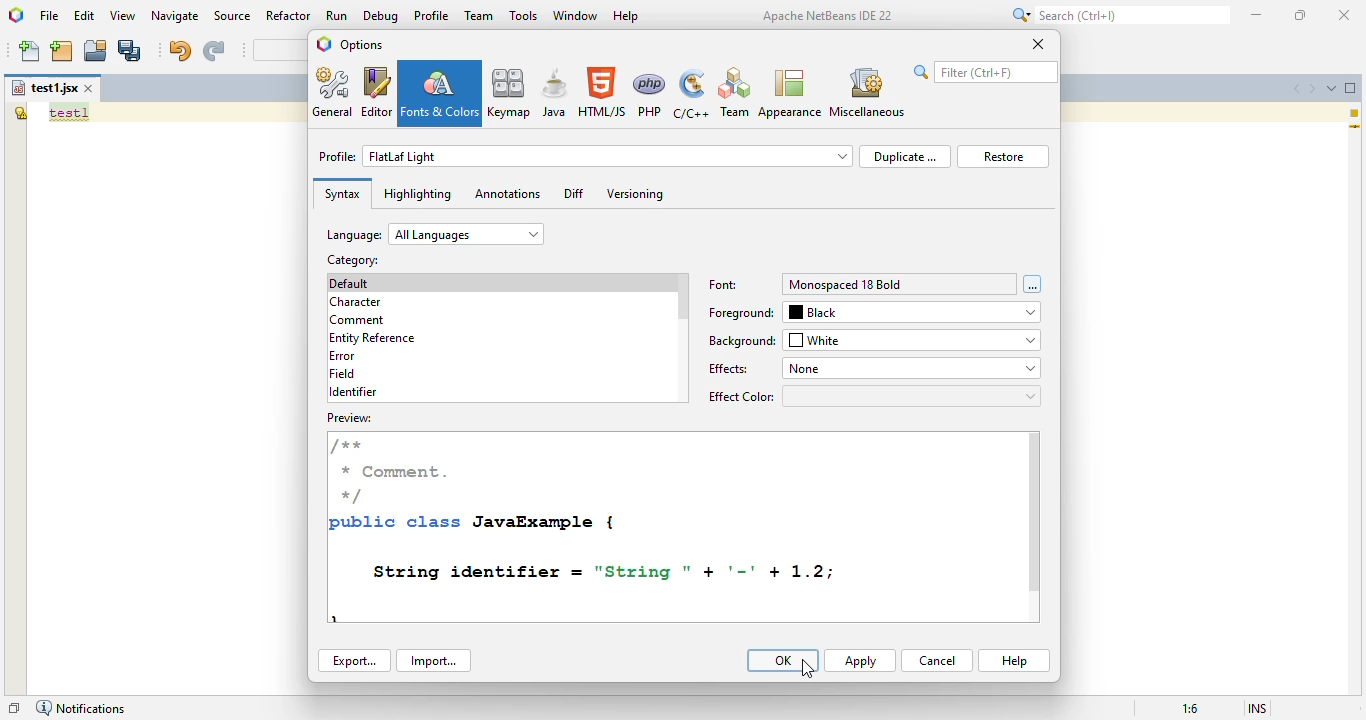  Describe the element at coordinates (873, 395) in the screenshot. I see `effect color:` at that location.